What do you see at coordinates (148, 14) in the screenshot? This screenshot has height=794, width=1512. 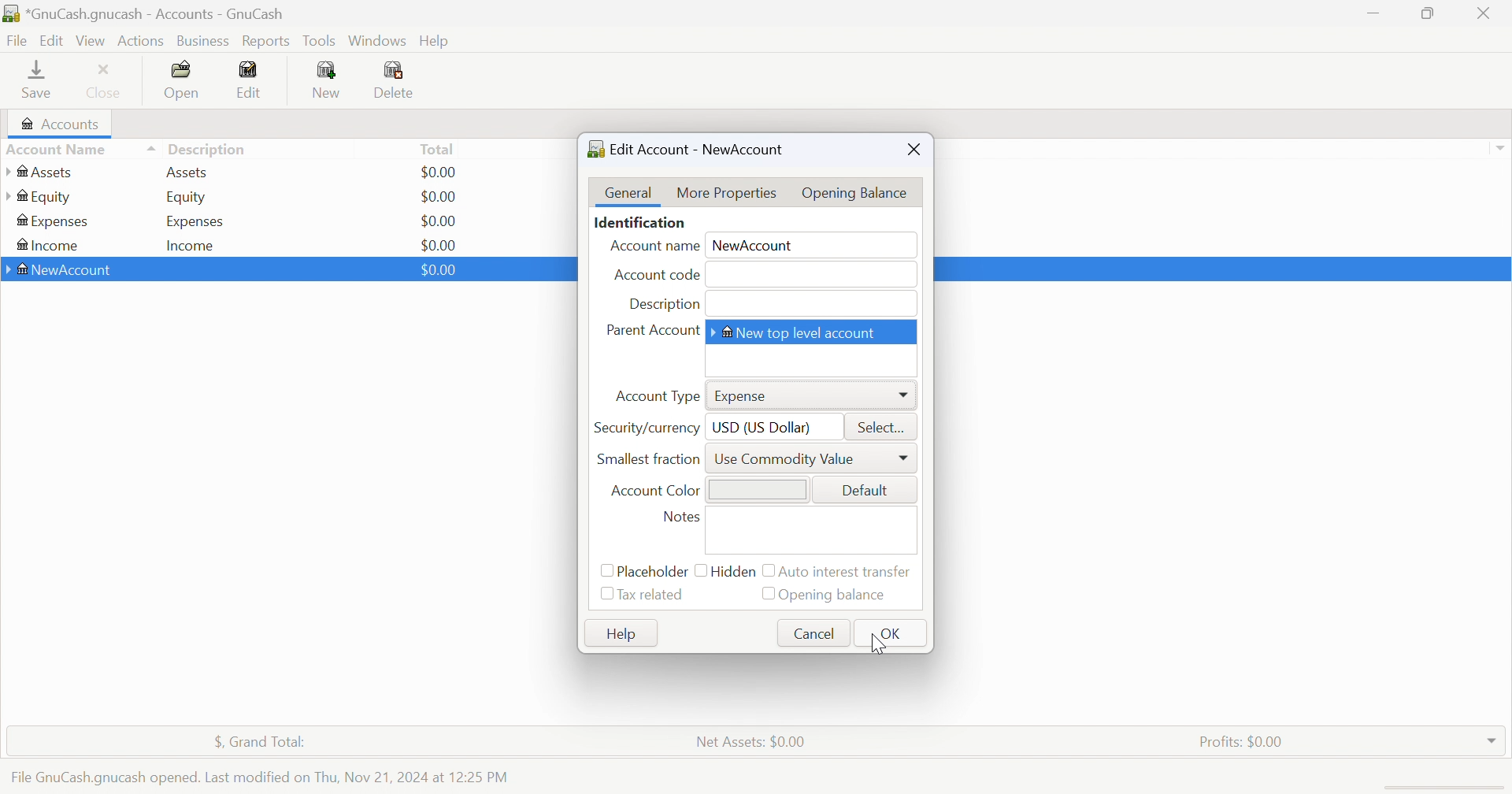 I see `*GnuCash.gnucash - Accounts -GnuCash` at bounding box center [148, 14].